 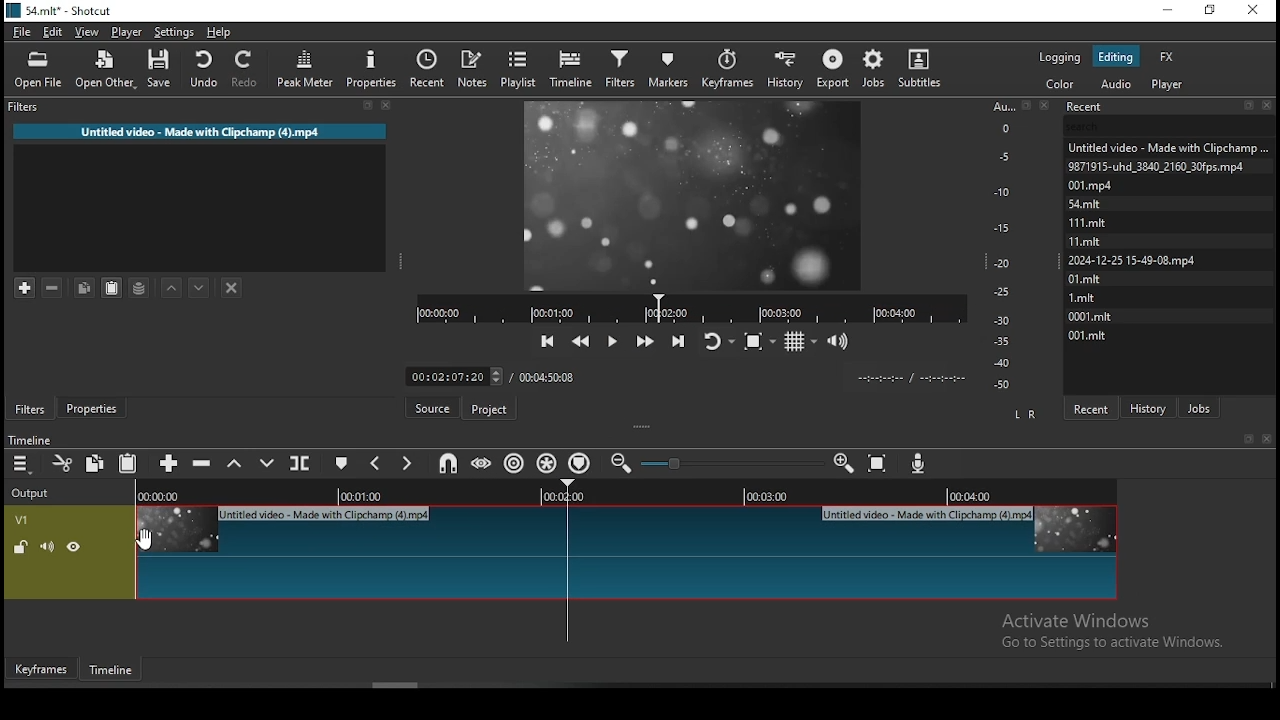 I want to click on zoom timeline in, so click(x=623, y=464).